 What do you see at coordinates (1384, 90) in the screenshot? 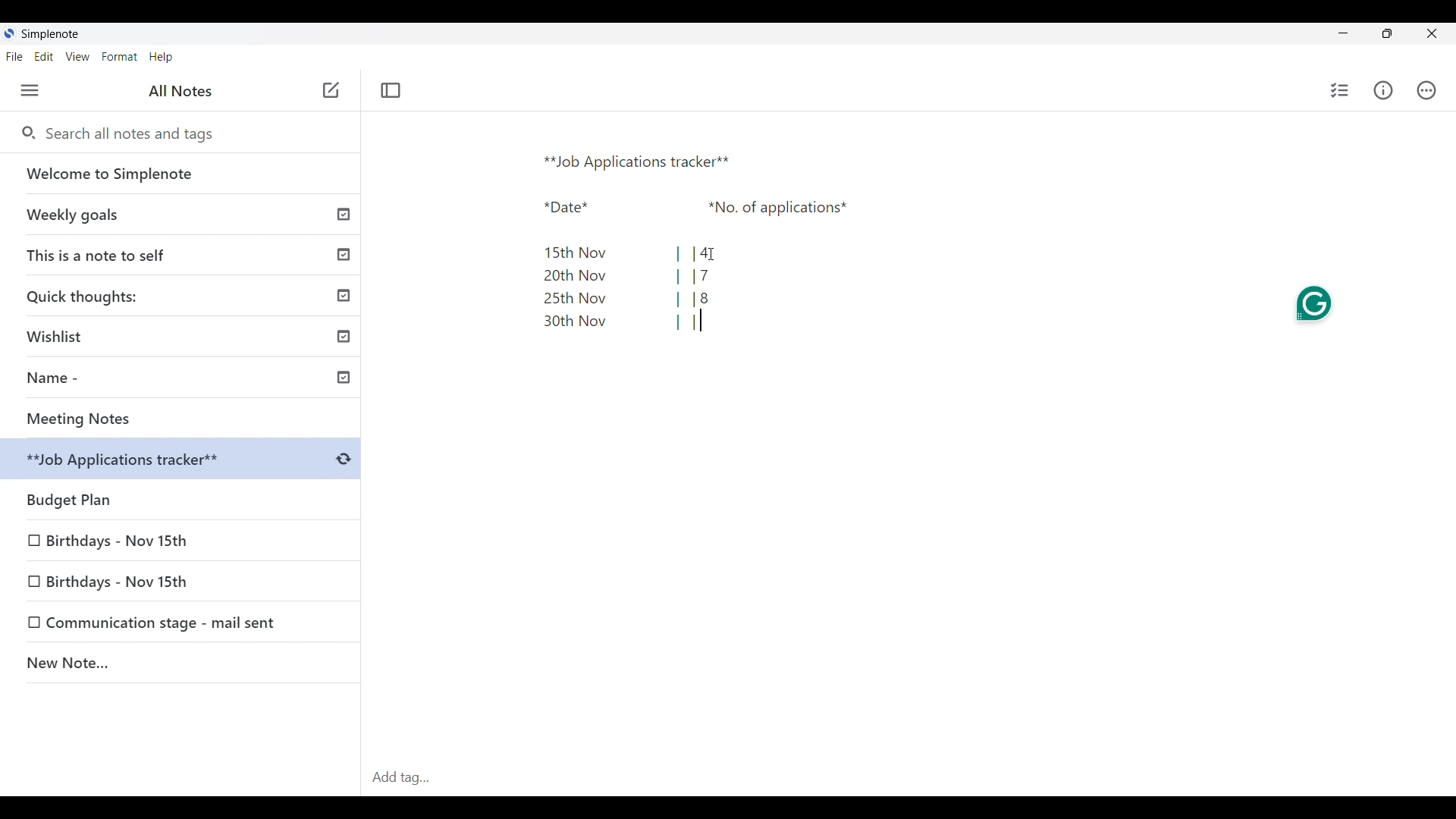
I see `Info` at bounding box center [1384, 90].